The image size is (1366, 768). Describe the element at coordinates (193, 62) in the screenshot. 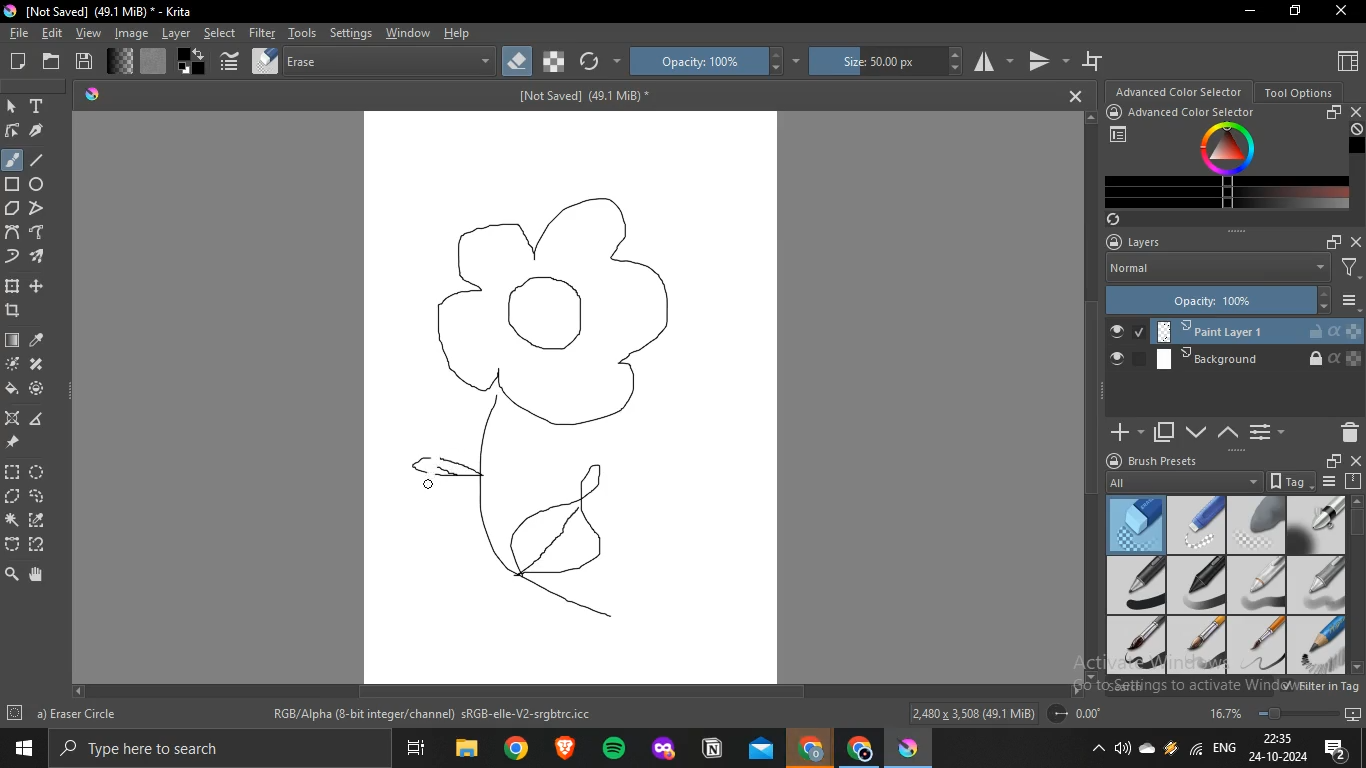

I see `swap foreground and background colors` at that location.